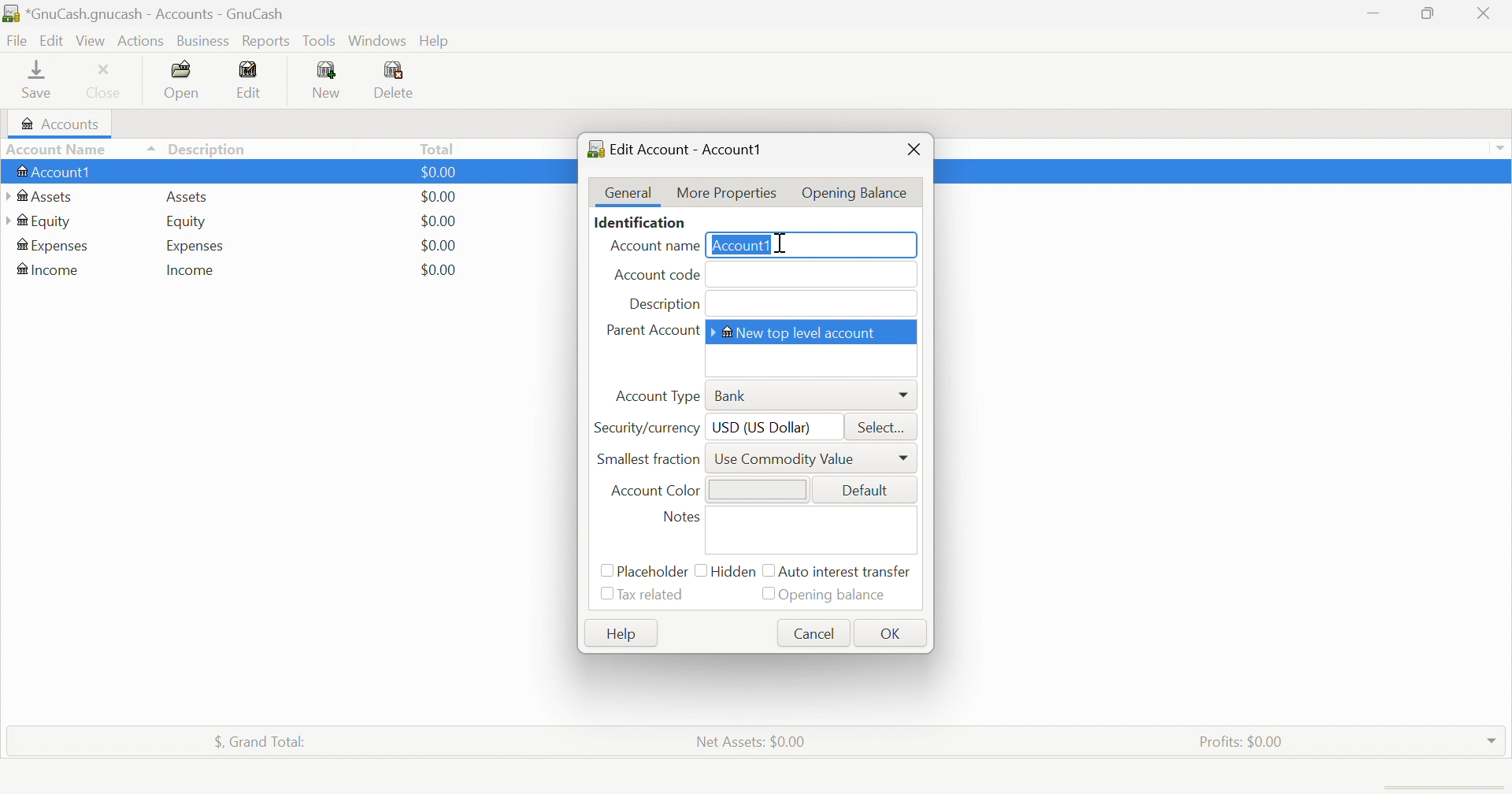  I want to click on Drop Down, so click(1491, 739).